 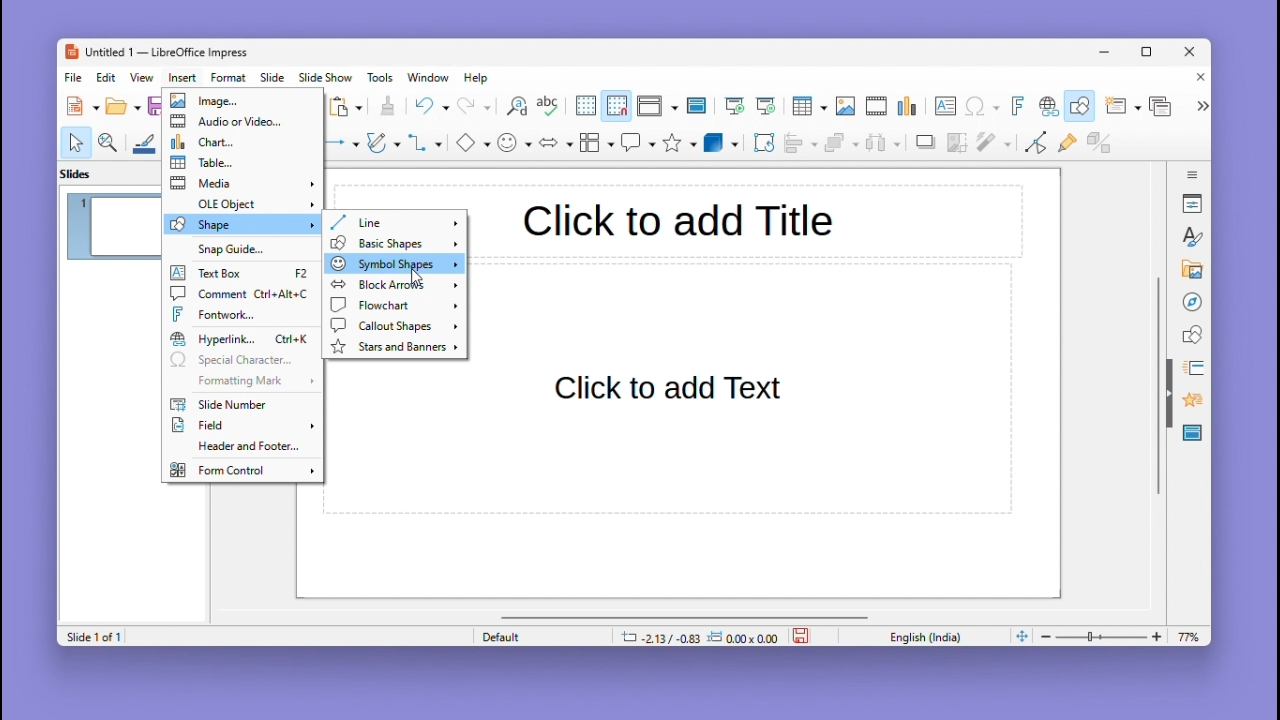 What do you see at coordinates (242, 203) in the screenshot?
I see `OLE Object` at bounding box center [242, 203].